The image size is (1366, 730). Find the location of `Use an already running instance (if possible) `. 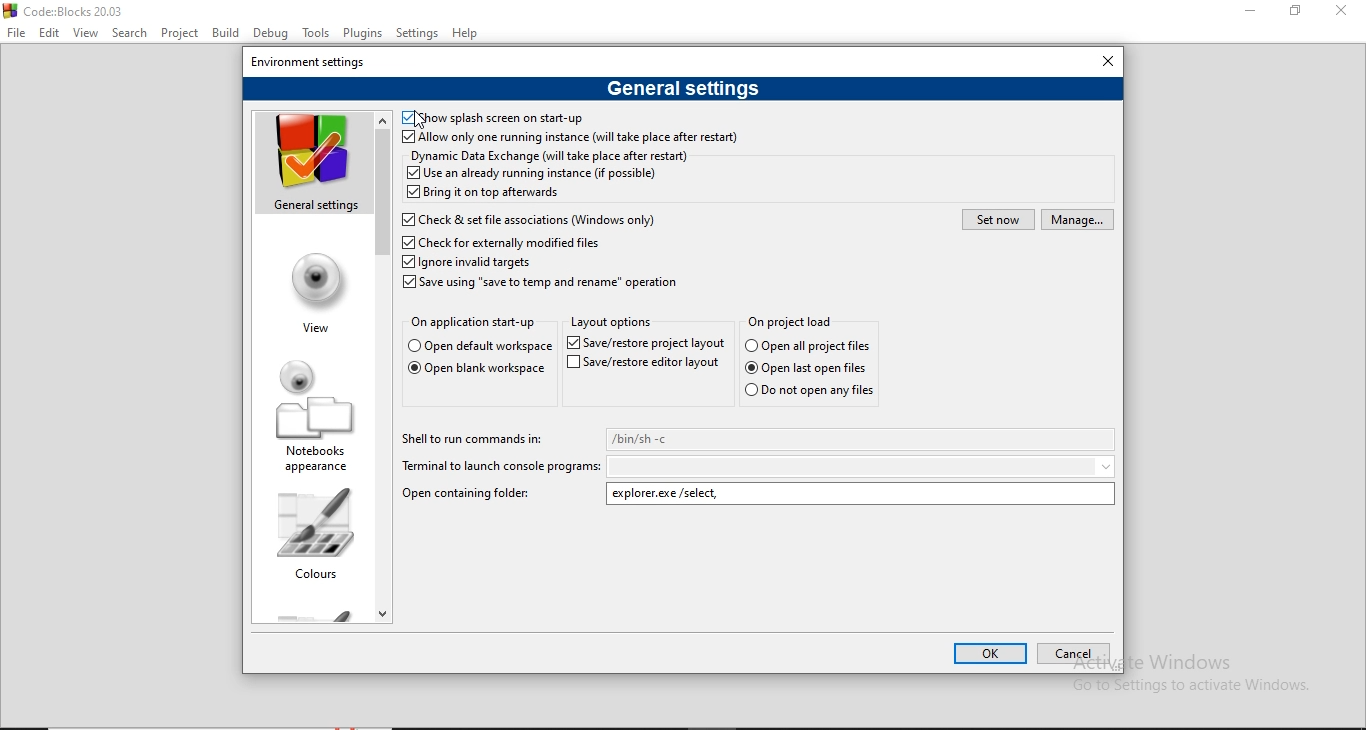

Use an already running instance (if possible)  is located at coordinates (531, 174).